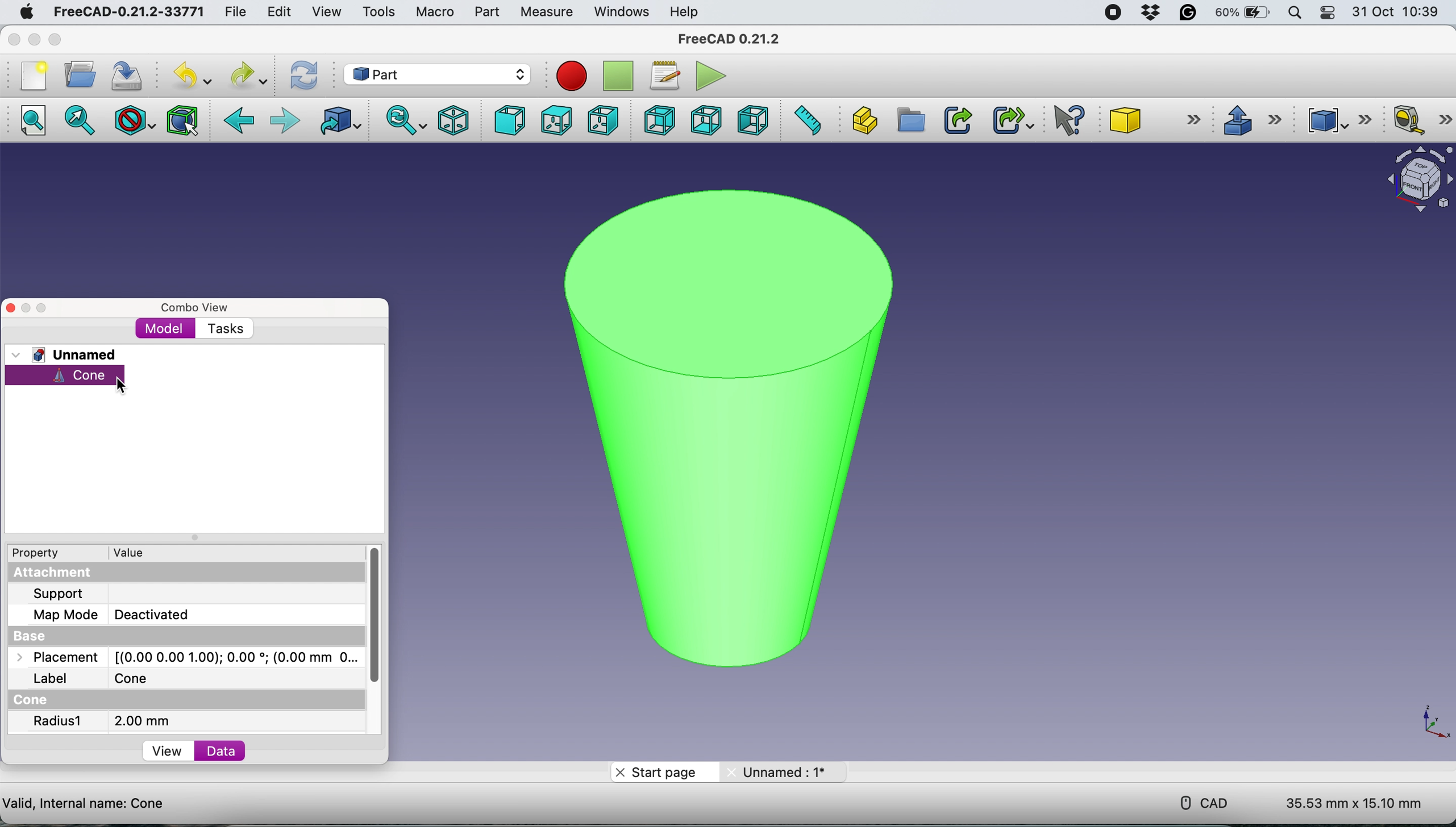 This screenshot has height=827, width=1456. What do you see at coordinates (1427, 722) in the screenshot?
I see `xy scale` at bounding box center [1427, 722].